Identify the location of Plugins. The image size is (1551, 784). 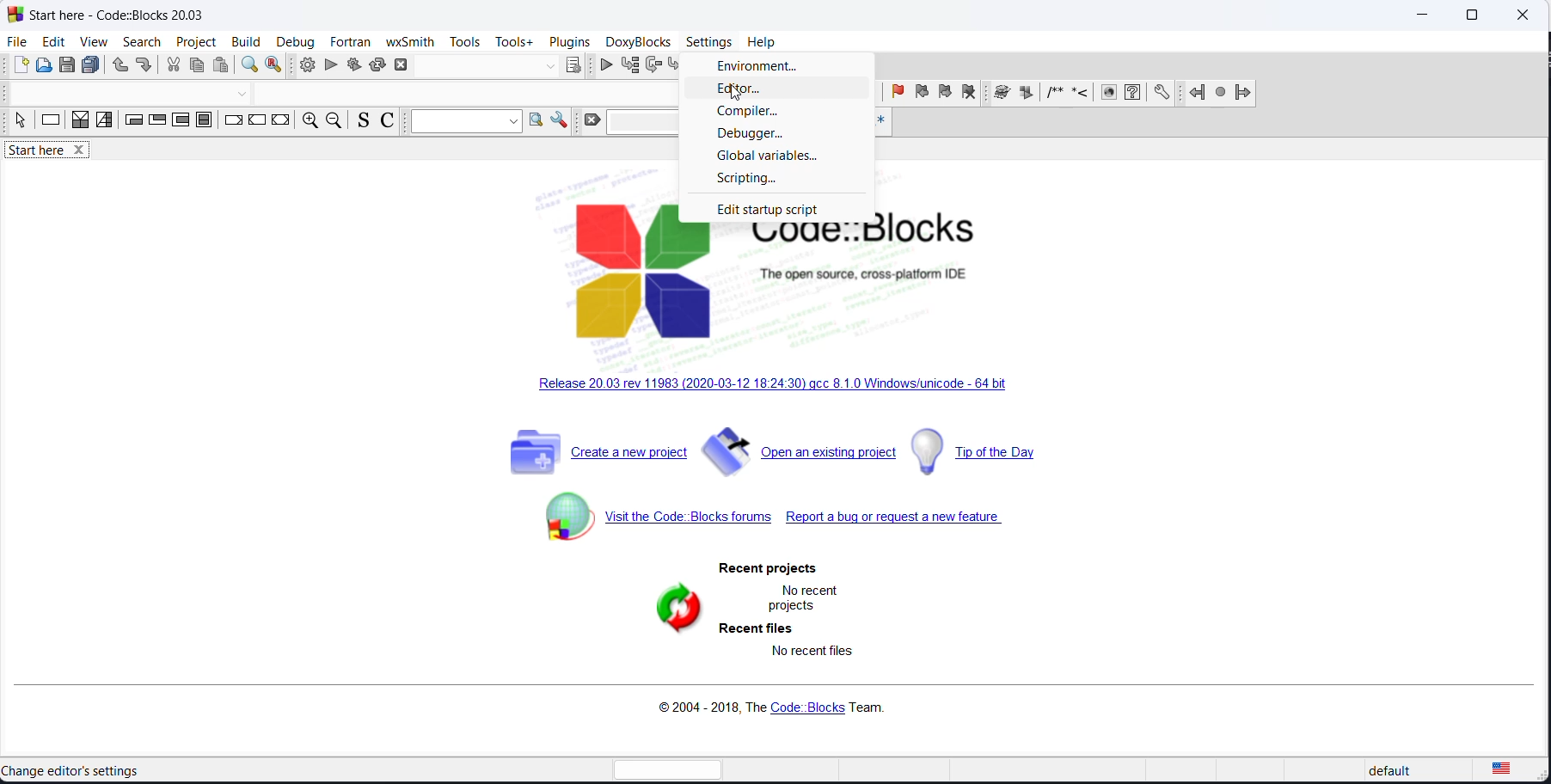
(571, 40).